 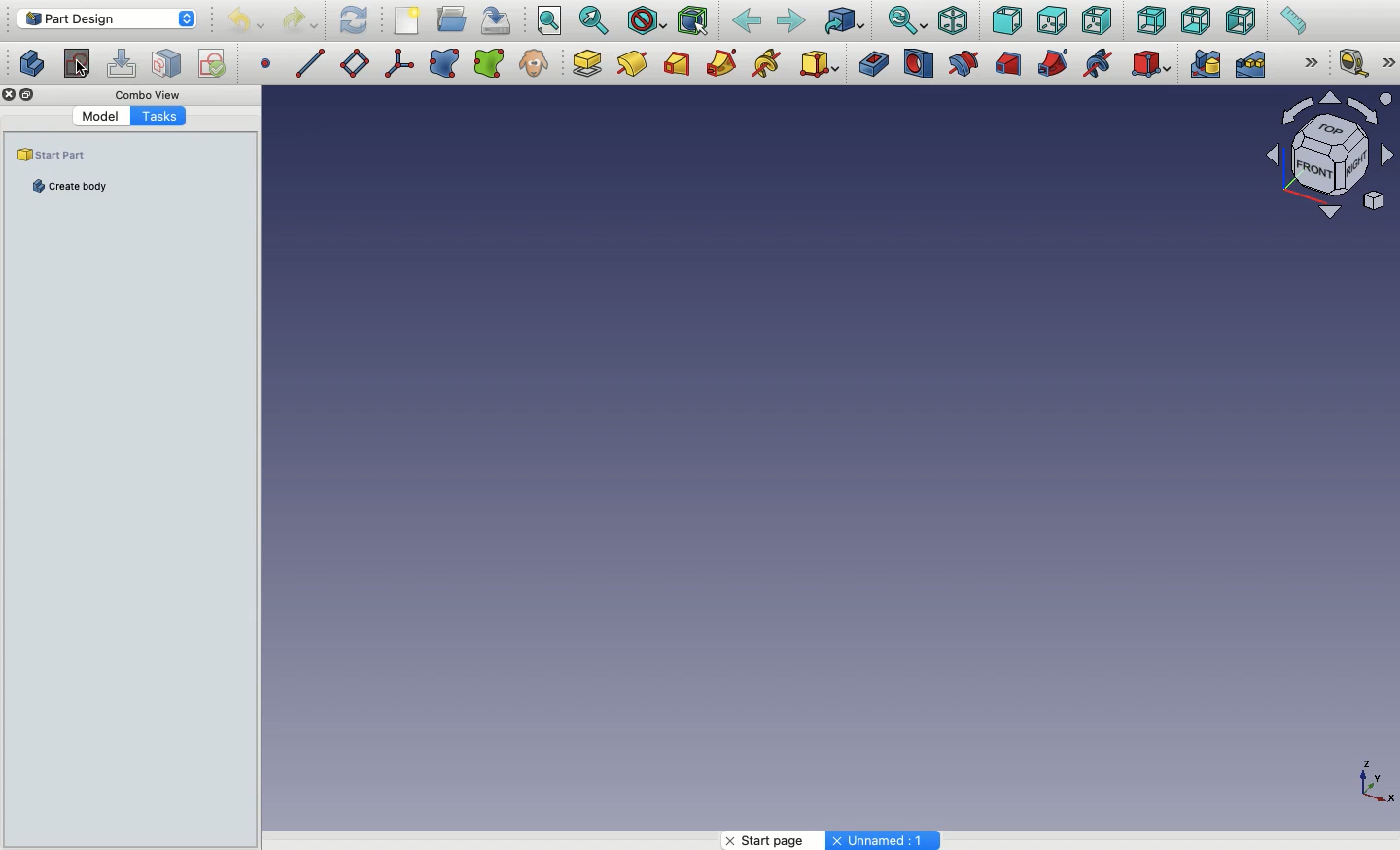 I want to click on Subtractive pipe, so click(x=1054, y=62).